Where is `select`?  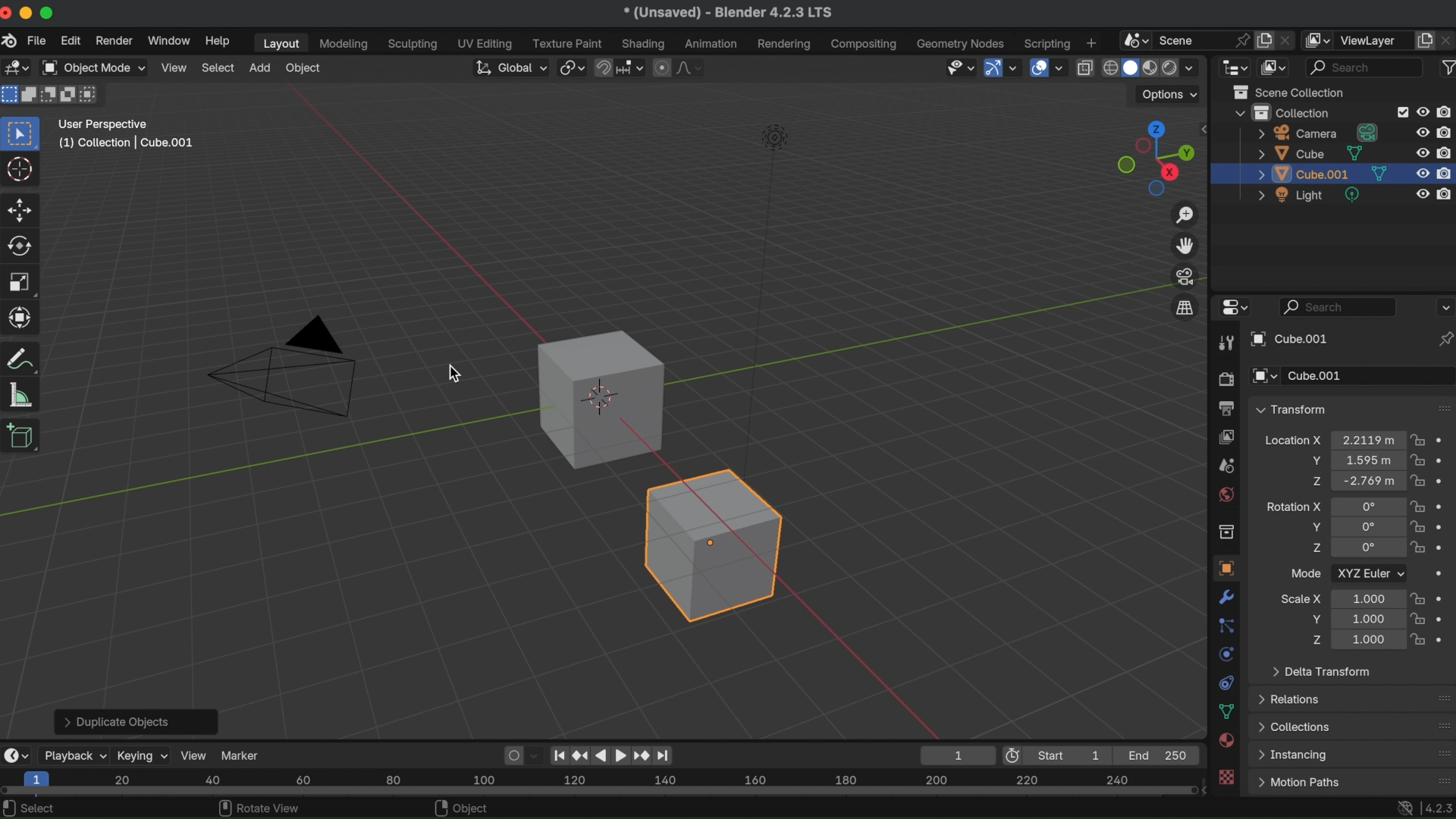 select is located at coordinates (218, 67).